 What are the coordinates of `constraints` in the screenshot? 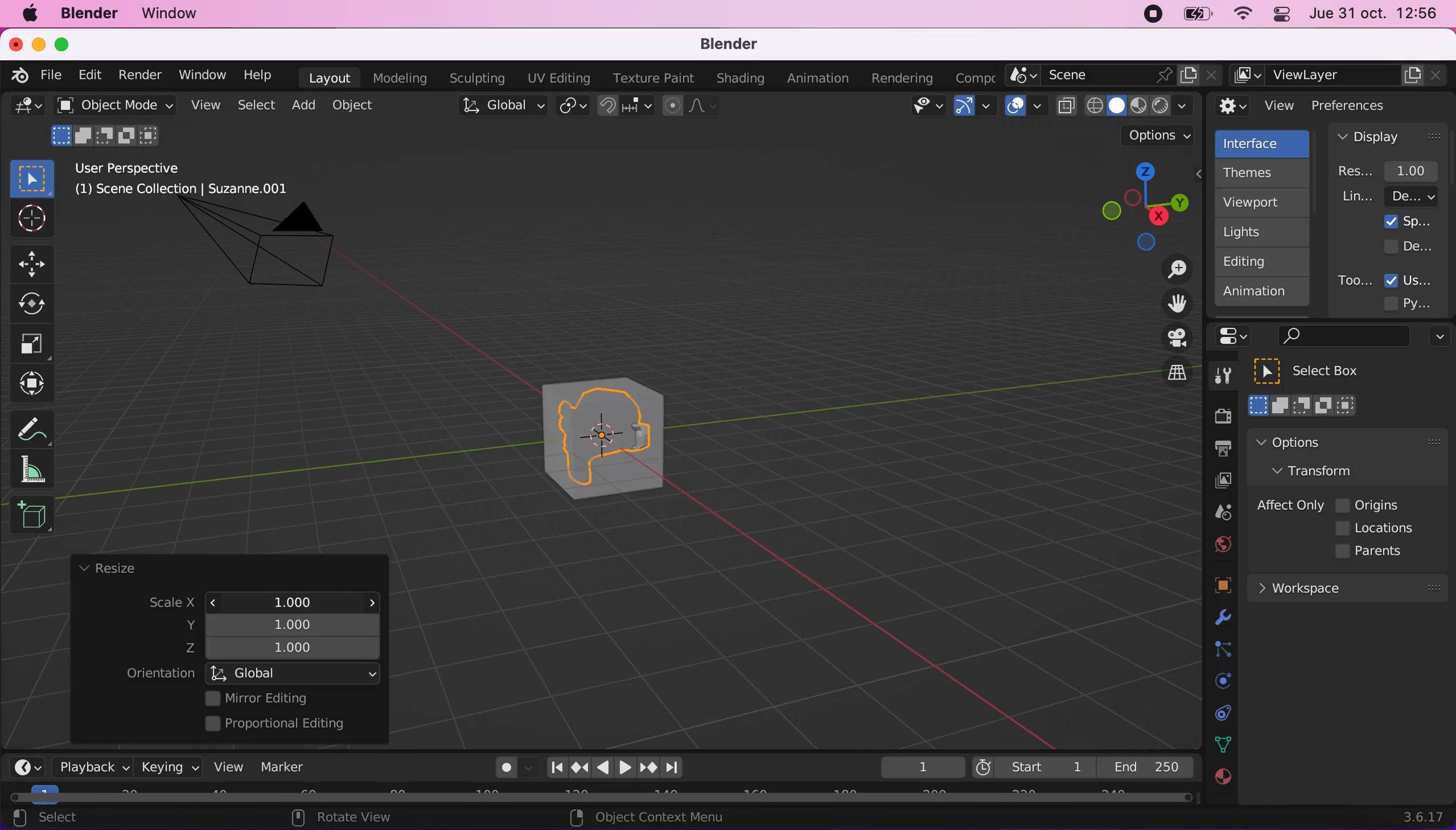 It's located at (1221, 650).